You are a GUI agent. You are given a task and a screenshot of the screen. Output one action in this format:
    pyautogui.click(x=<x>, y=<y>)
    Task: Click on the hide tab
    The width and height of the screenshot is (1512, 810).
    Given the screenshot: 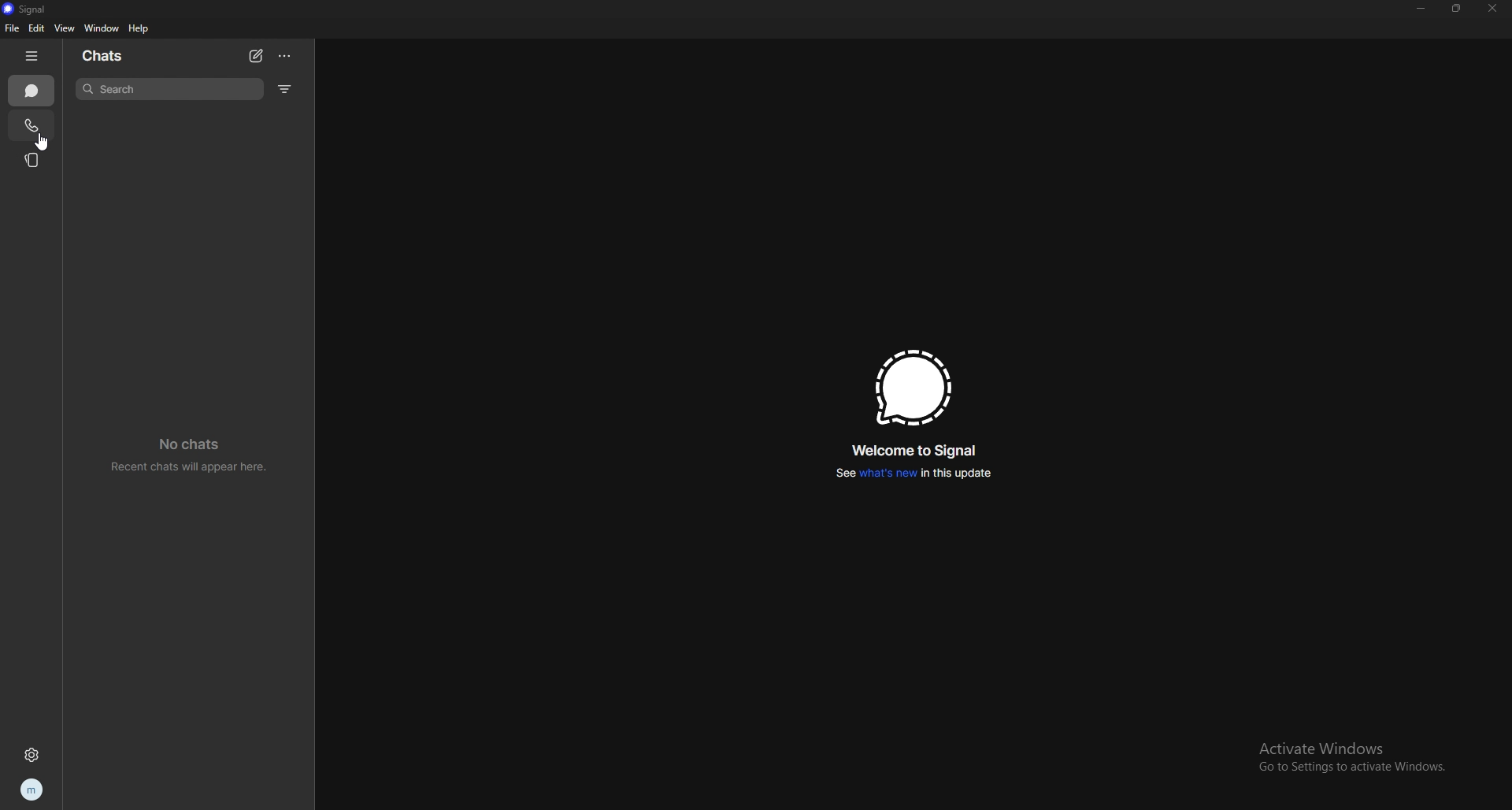 What is the action you would take?
    pyautogui.click(x=31, y=57)
    